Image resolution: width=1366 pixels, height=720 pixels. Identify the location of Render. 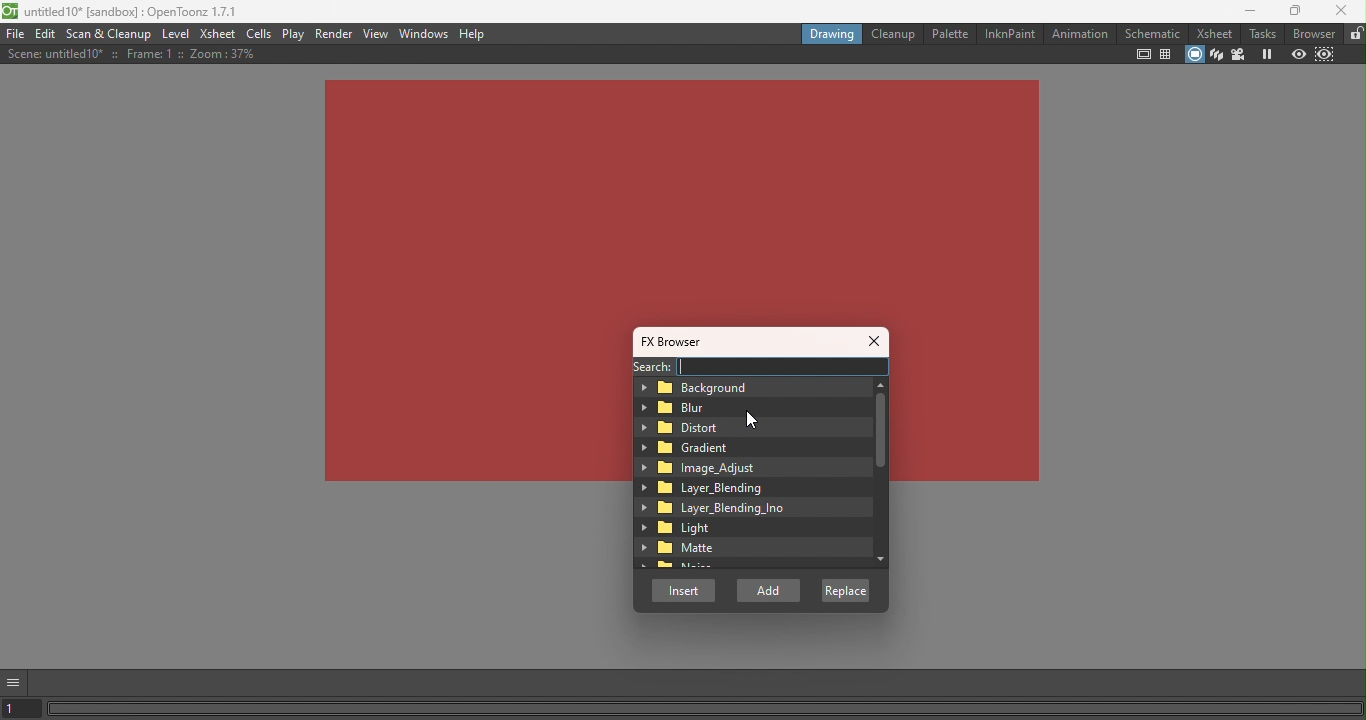
(336, 32).